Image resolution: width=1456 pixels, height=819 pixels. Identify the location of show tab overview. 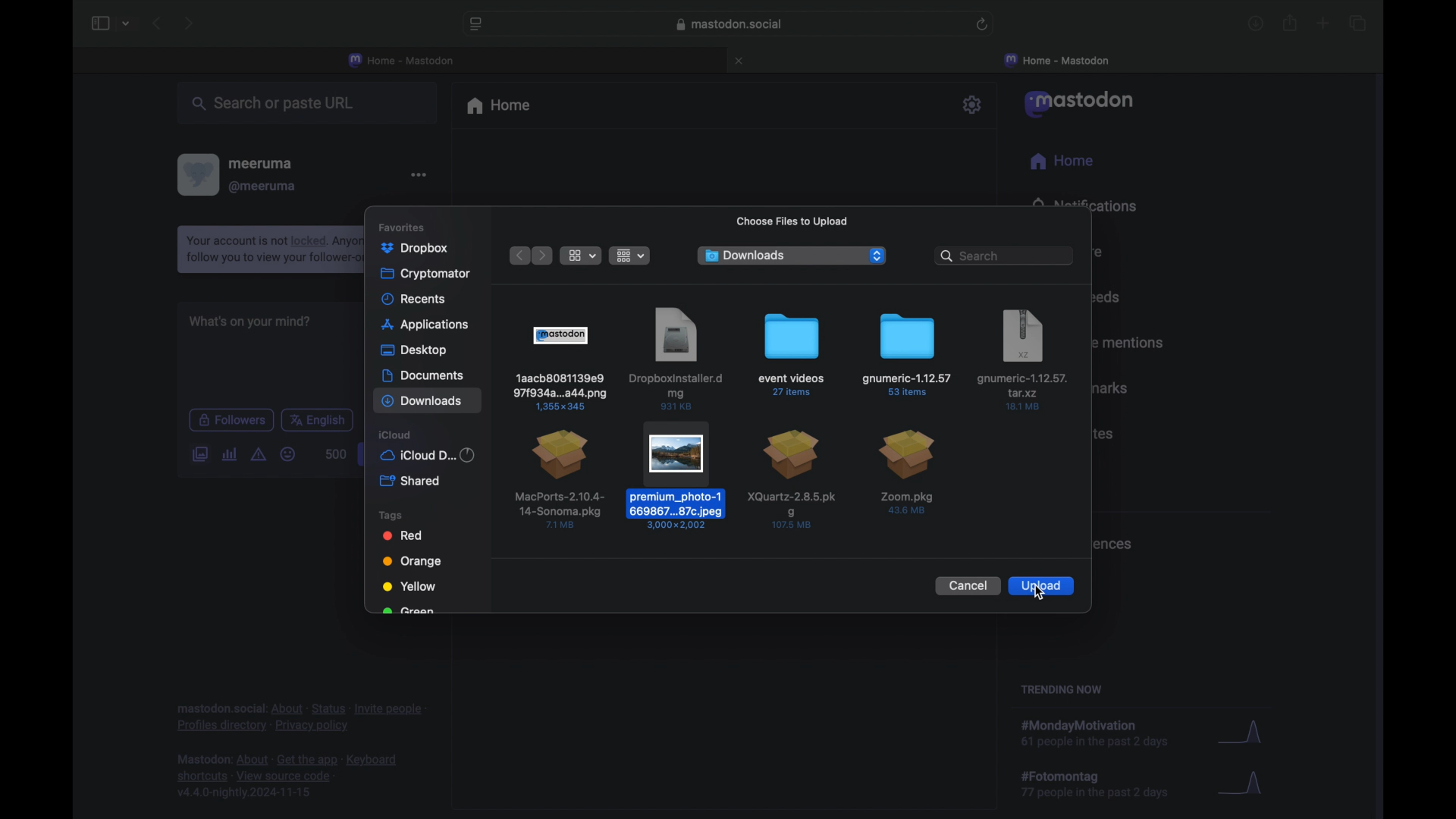
(1357, 23).